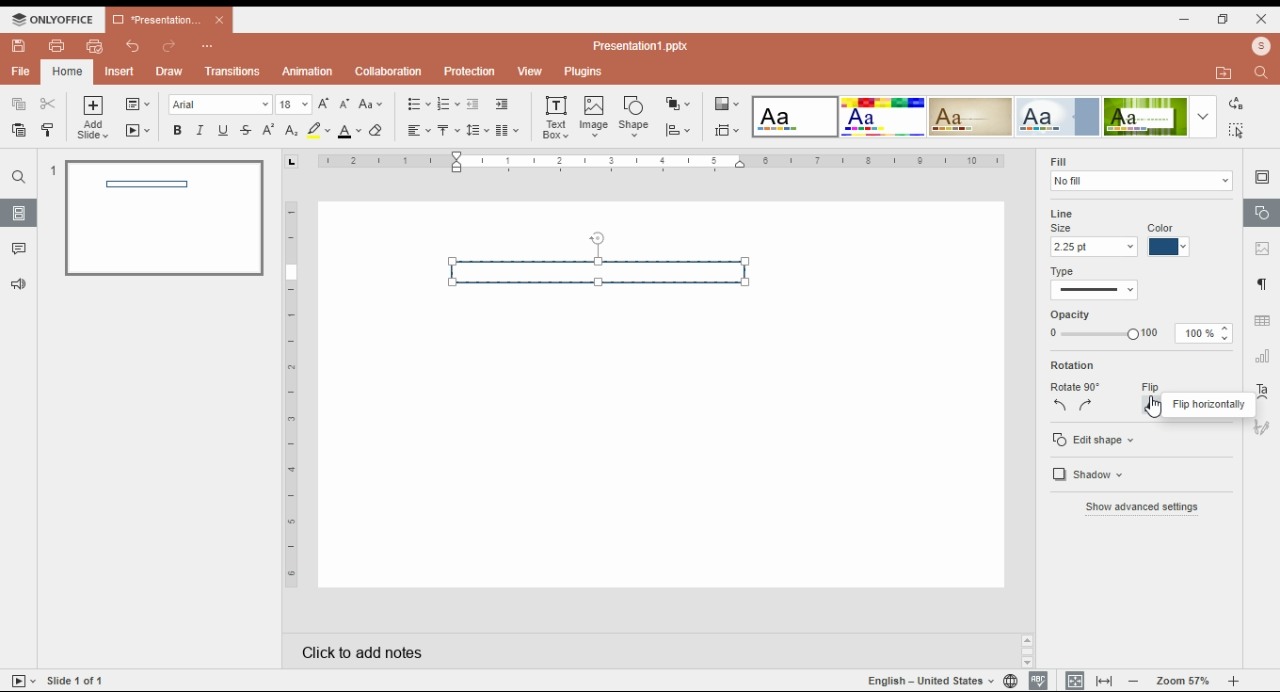  What do you see at coordinates (1145, 117) in the screenshot?
I see `color theme` at bounding box center [1145, 117].